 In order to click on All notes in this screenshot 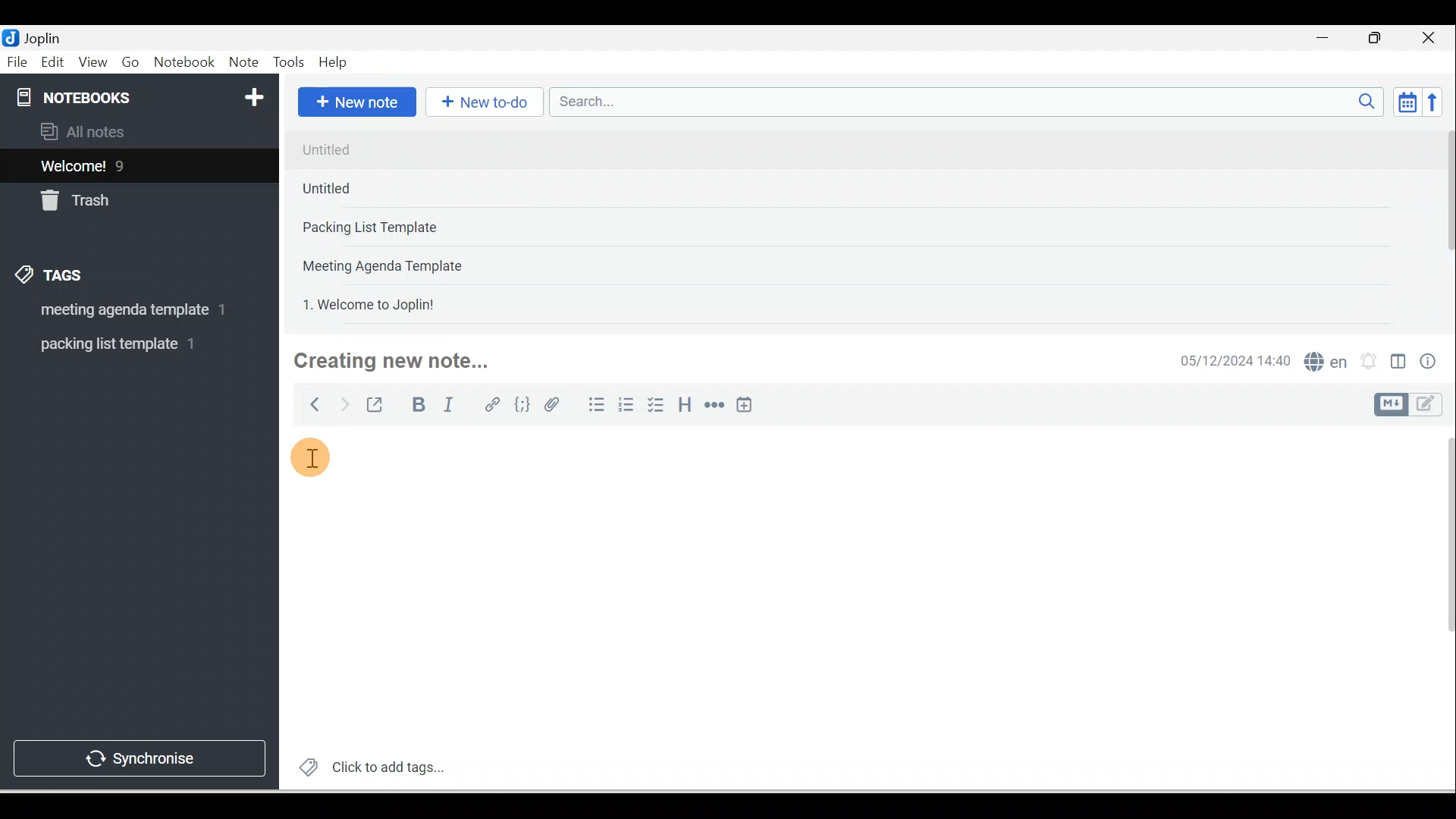, I will do `click(137, 131)`.